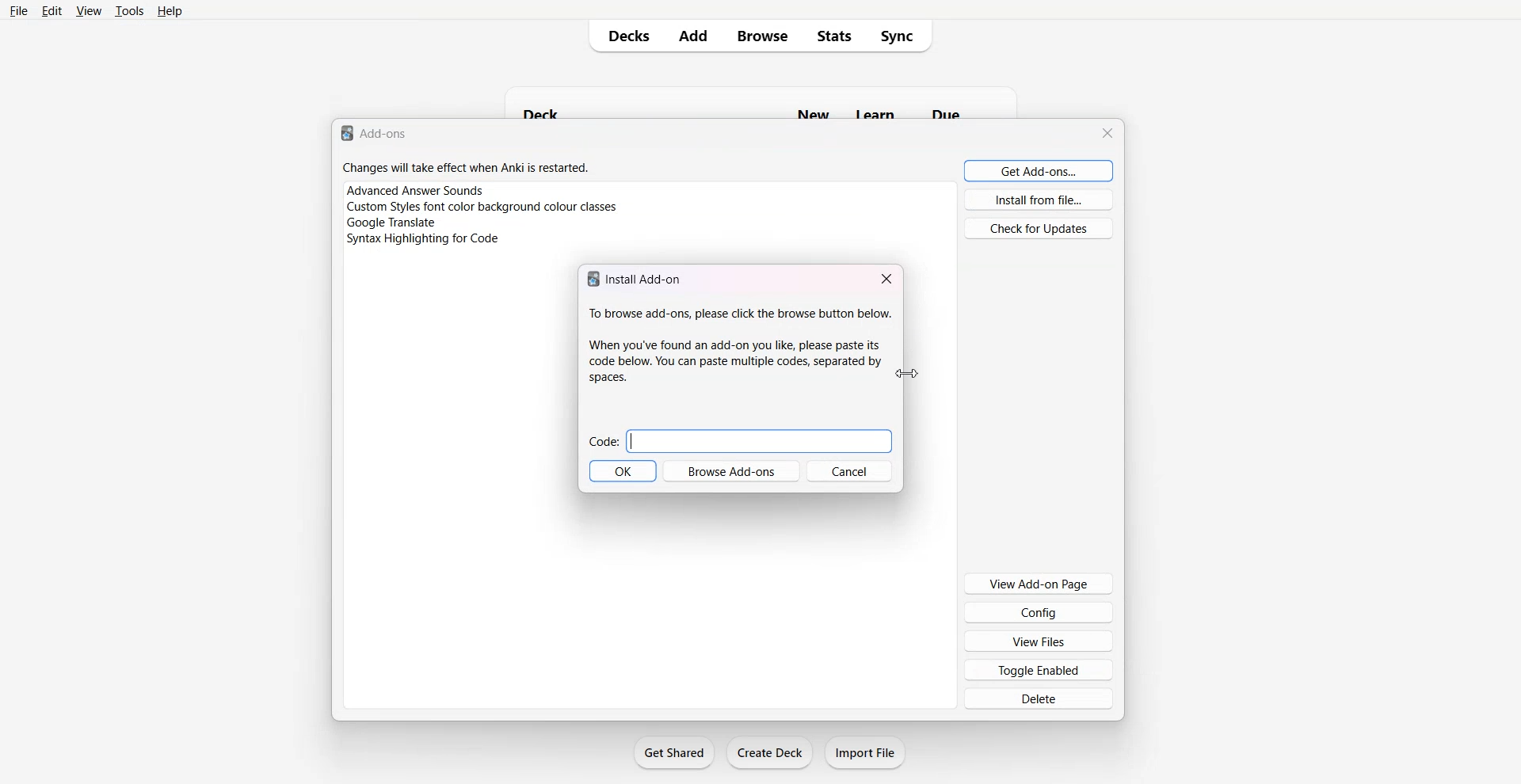  What do you see at coordinates (740, 346) in the screenshot?
I see `to browse add-ons, please click the browse button below.` at bounding box center [740, 346].